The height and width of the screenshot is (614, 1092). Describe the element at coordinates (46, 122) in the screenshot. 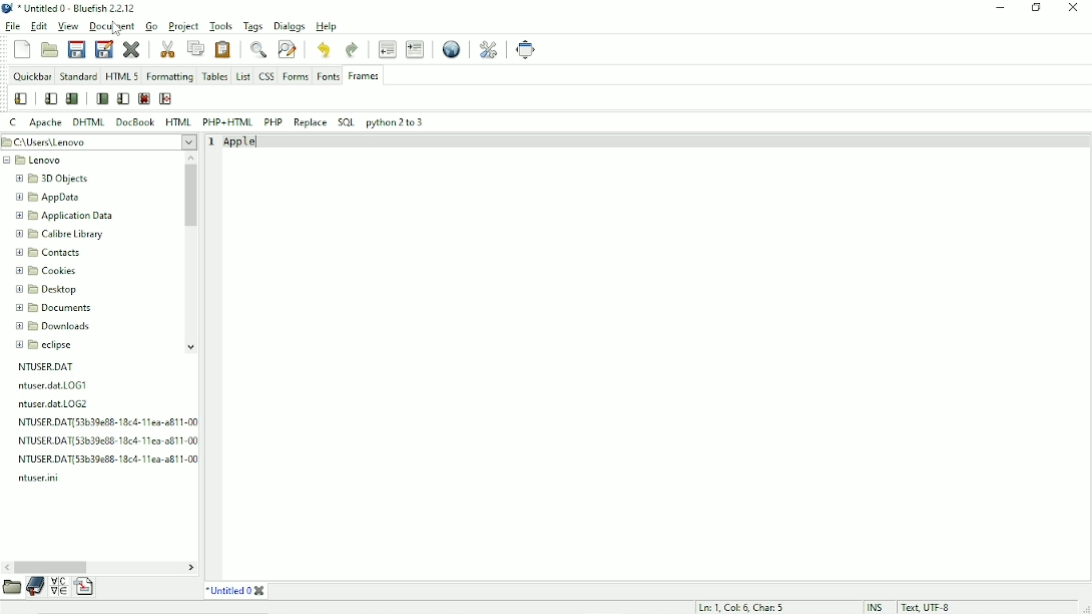

I see `Apache` at that location.